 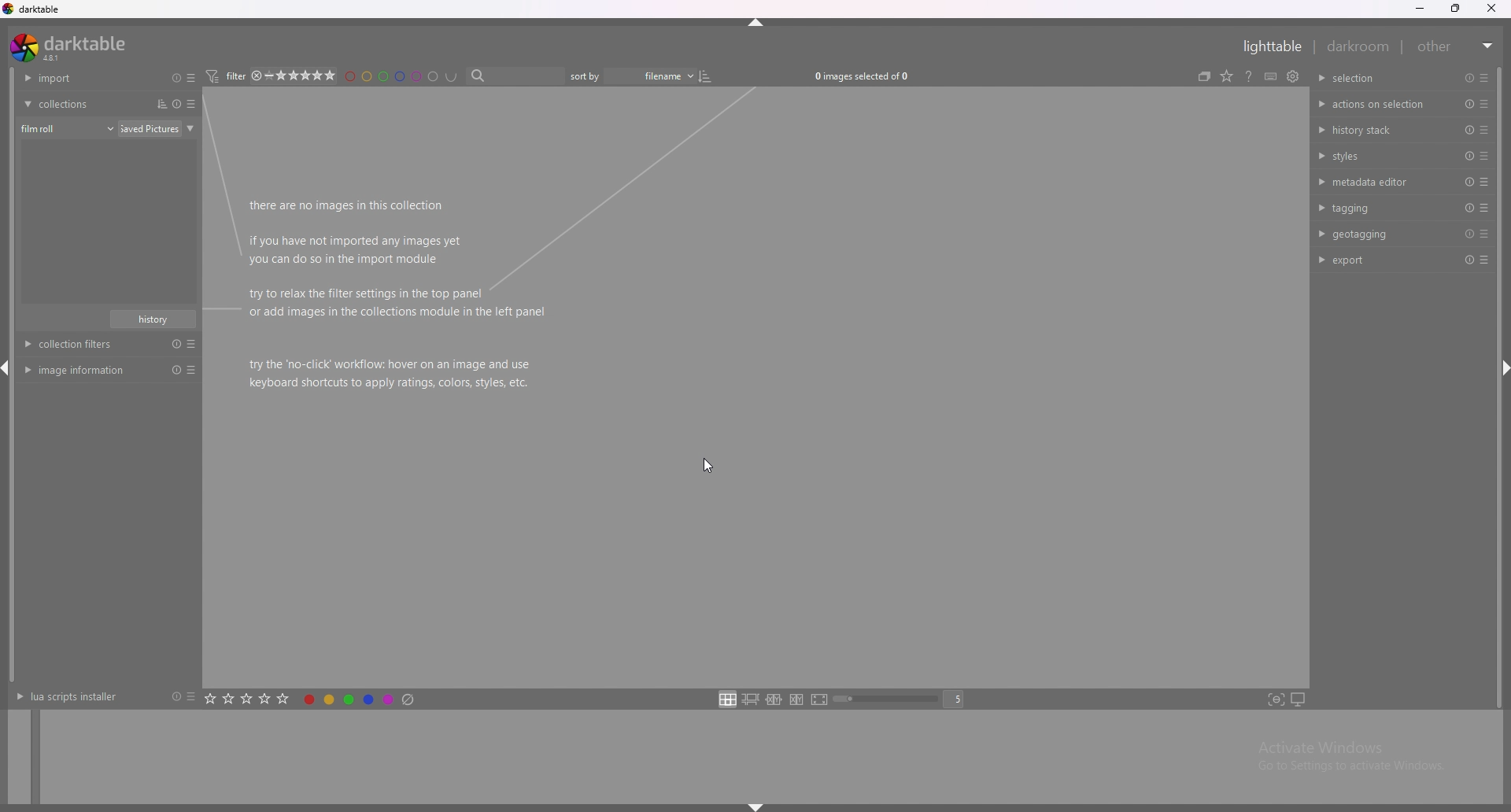 I want to click on resize, so click(x=1458, y=9).